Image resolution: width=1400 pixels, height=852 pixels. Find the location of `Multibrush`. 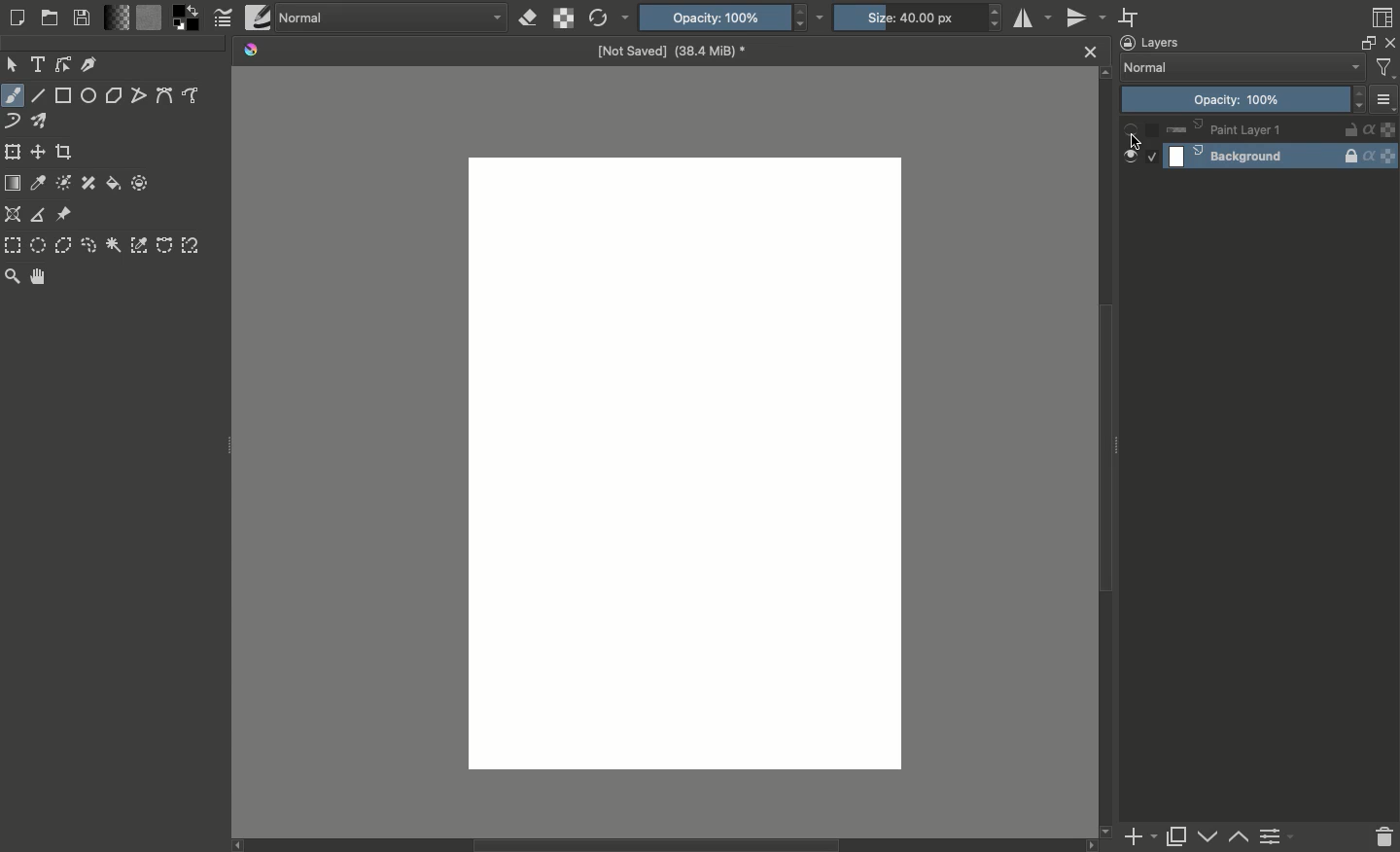

Multibrush is located at coordinates (46, 122).